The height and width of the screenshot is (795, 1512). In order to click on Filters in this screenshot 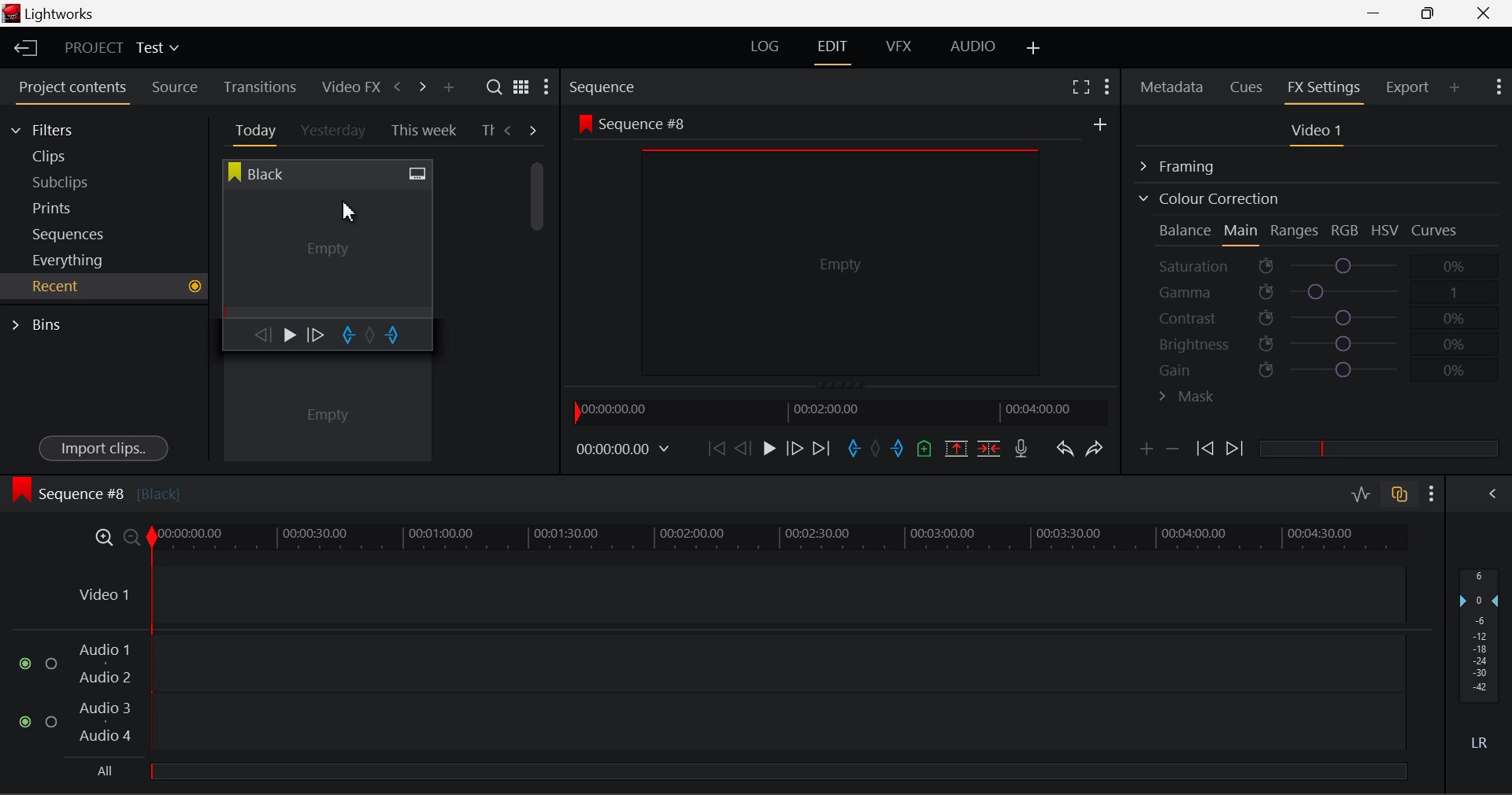, I will do `click(57, 128)`.